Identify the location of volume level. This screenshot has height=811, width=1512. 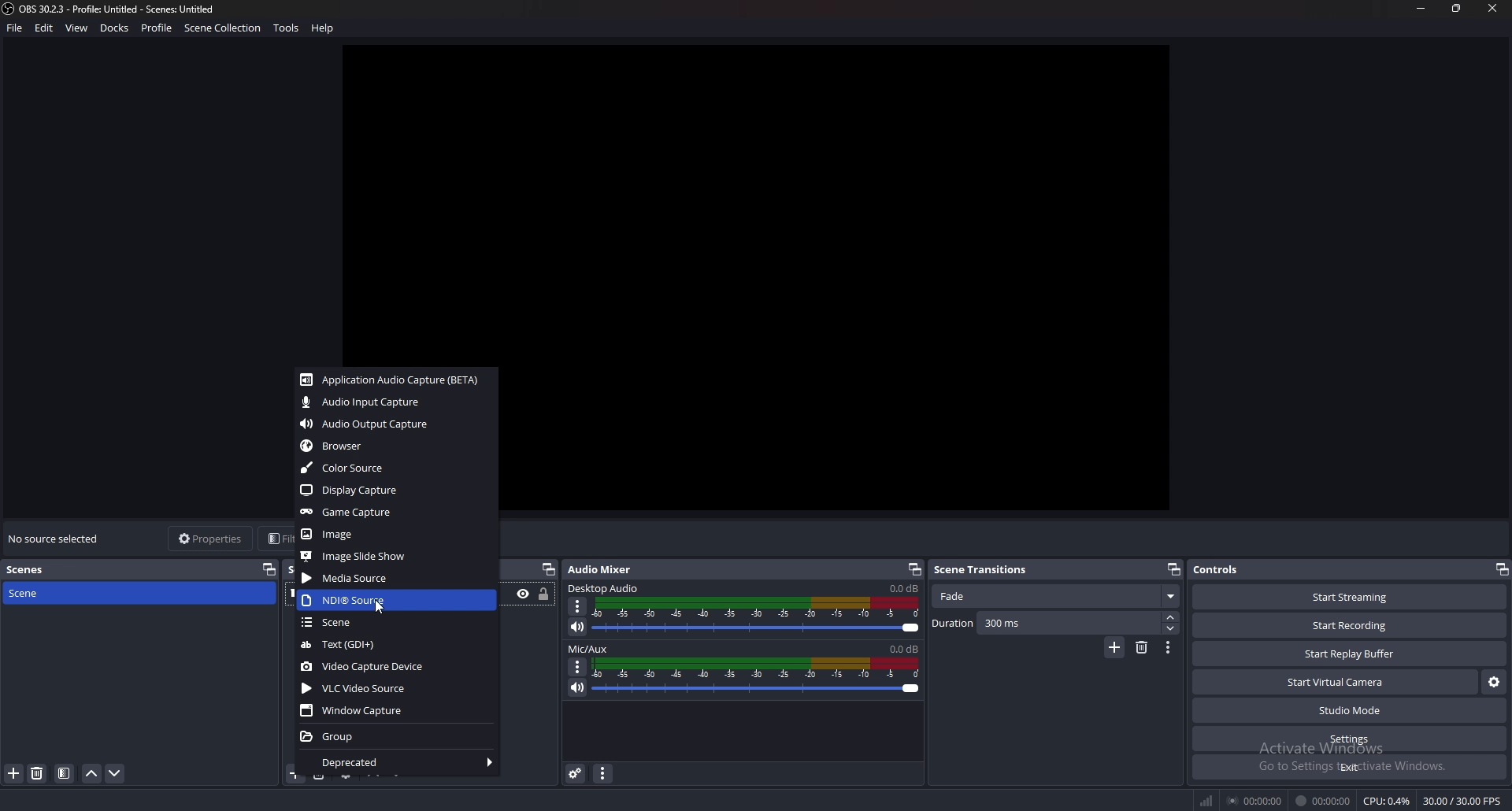
(902, 588).